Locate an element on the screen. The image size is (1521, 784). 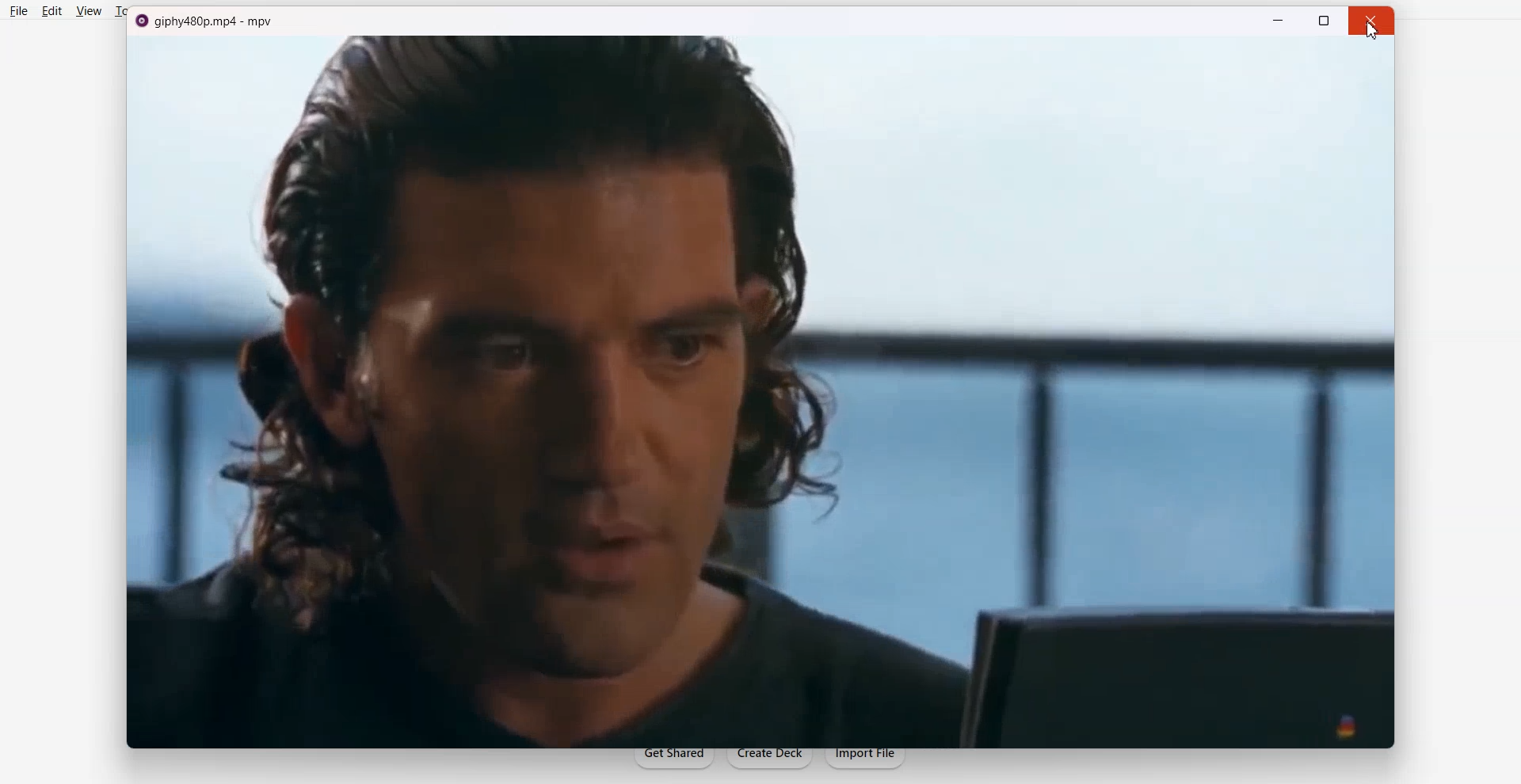
File is located at coordinates (20, 11).